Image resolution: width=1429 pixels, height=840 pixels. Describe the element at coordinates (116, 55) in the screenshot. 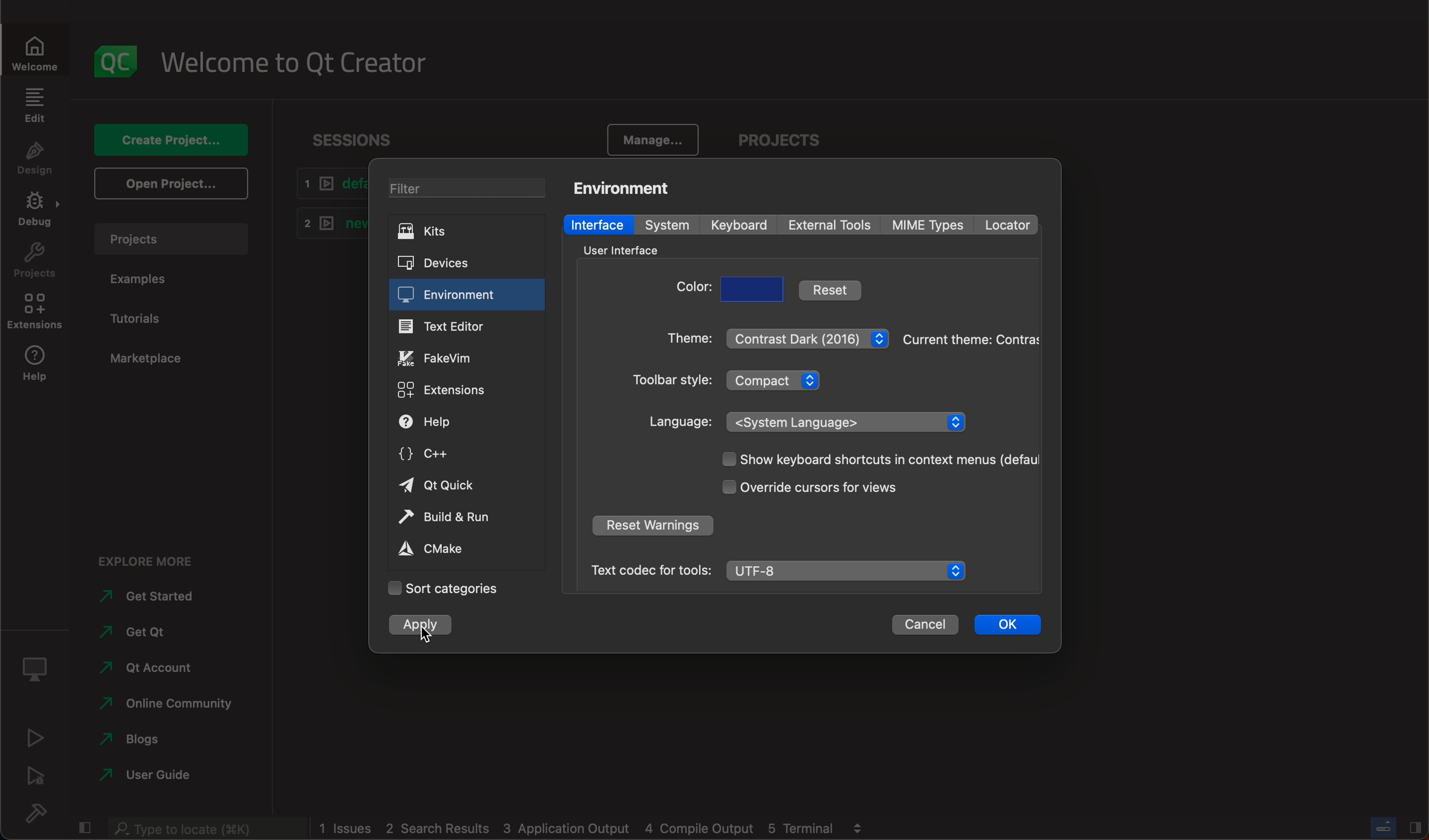

I see `logo` at that location.